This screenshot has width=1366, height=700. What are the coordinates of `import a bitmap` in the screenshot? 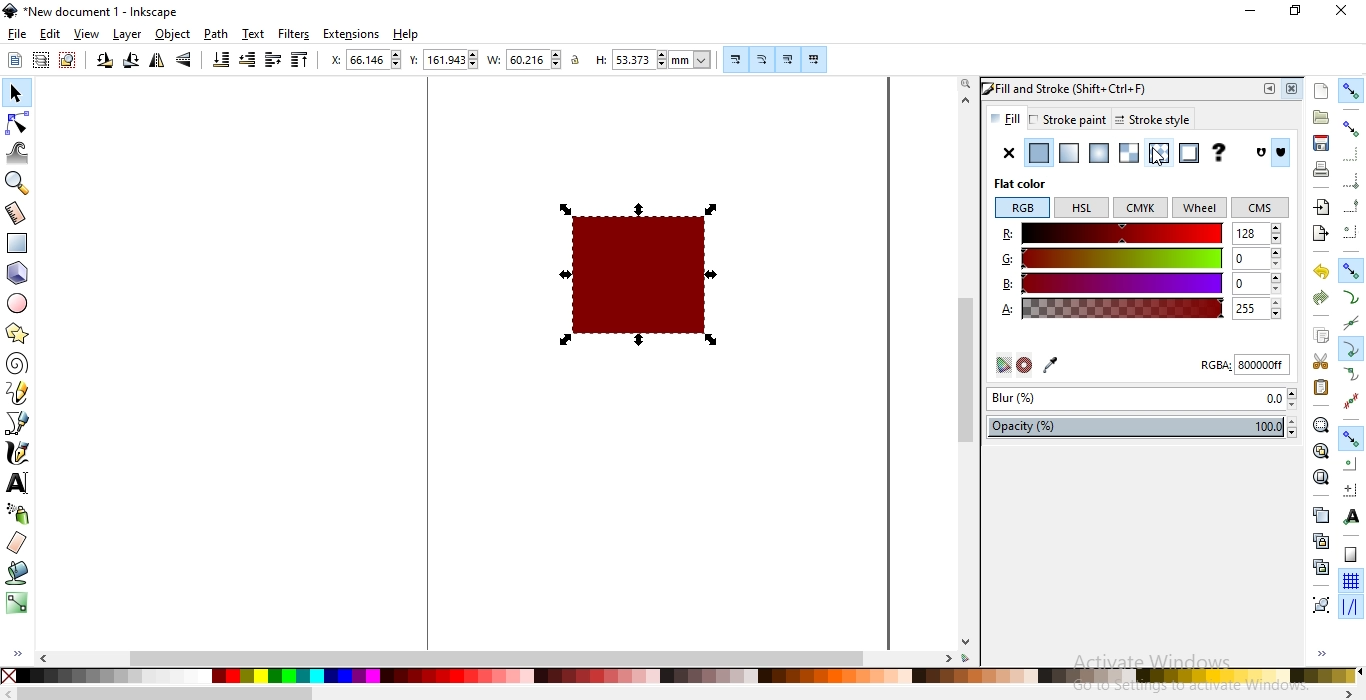 It's located at (1321, 207).